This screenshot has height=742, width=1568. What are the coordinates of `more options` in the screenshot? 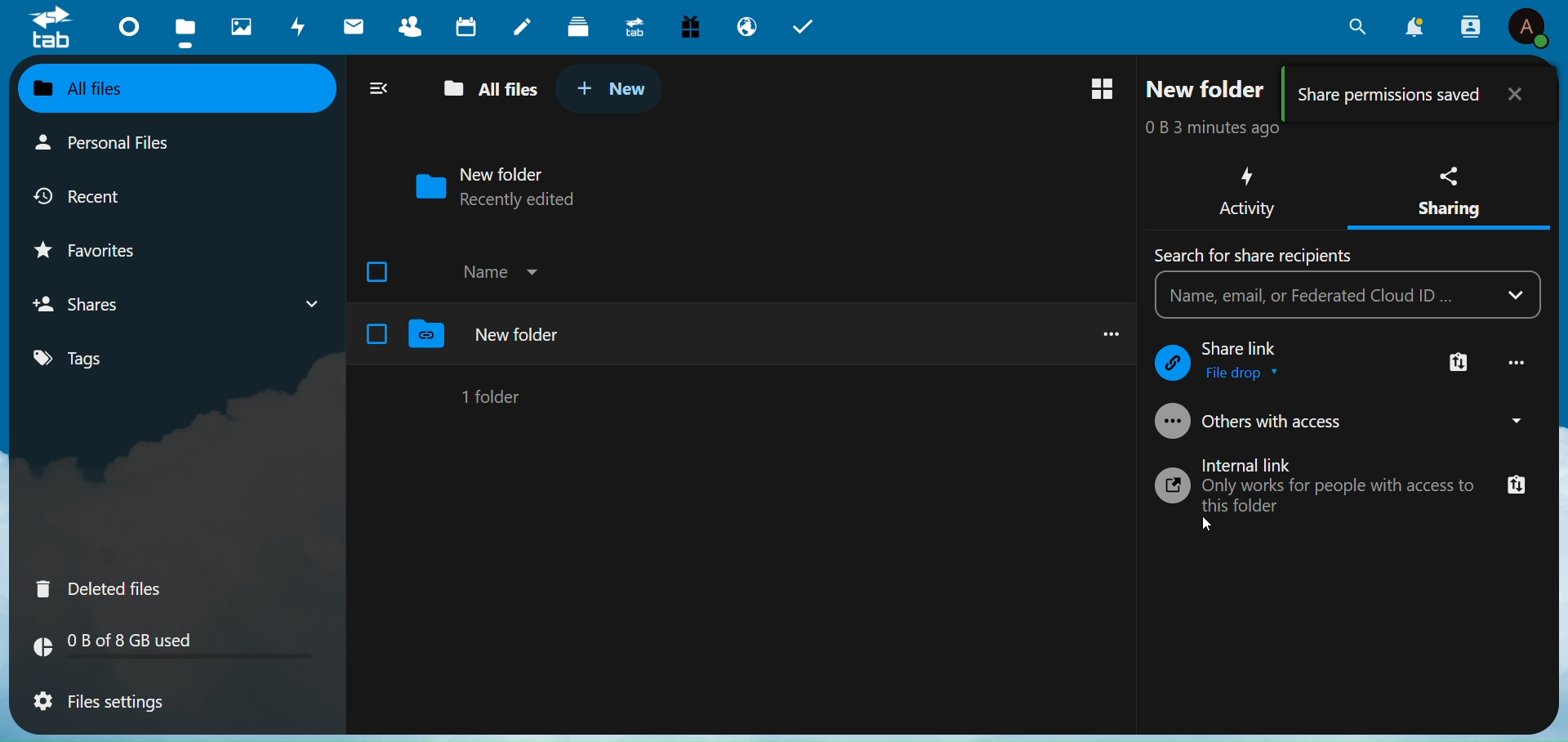 It's located at (1104, 331).